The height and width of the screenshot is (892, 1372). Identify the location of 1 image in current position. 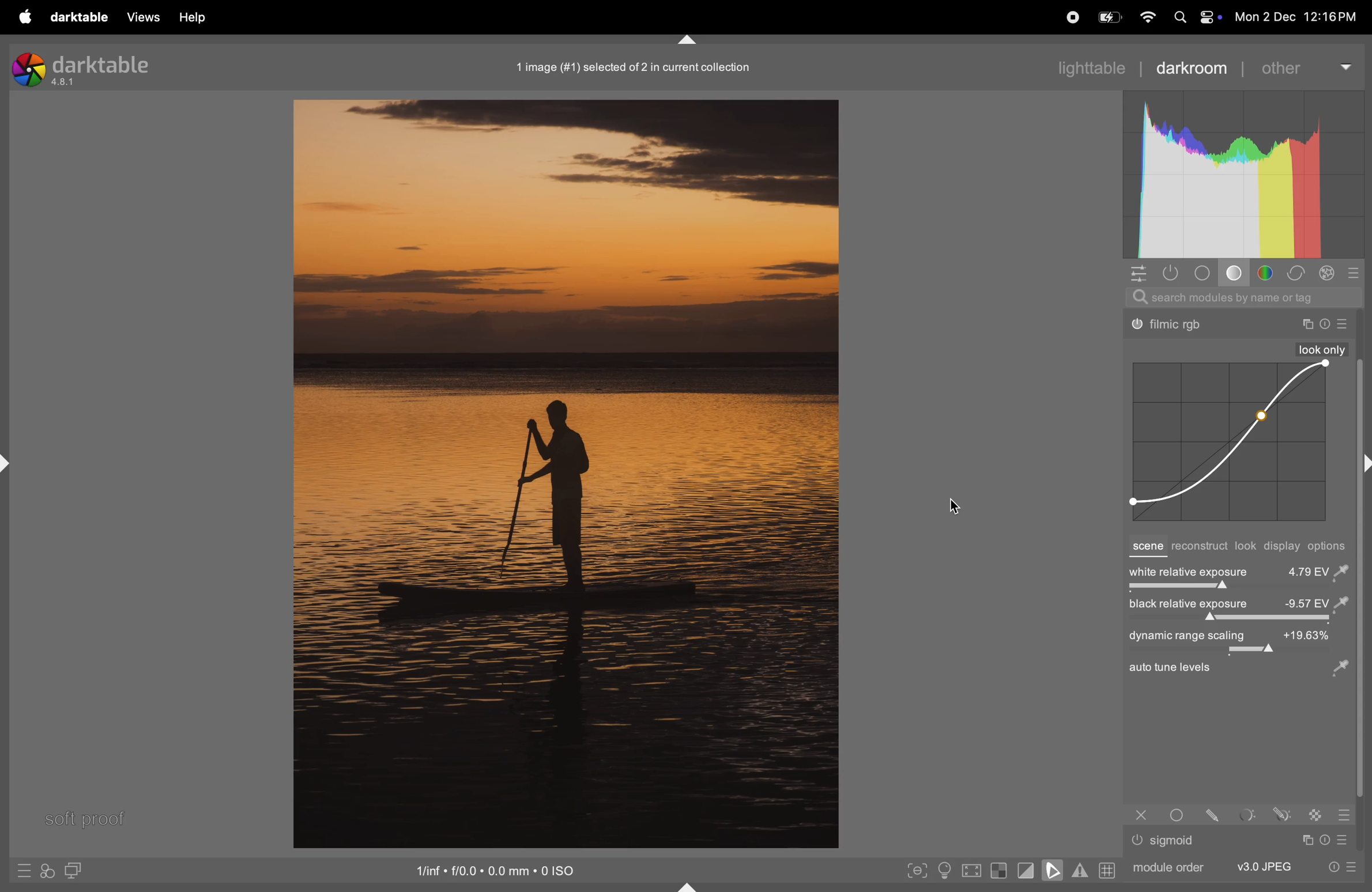
(630, 66).